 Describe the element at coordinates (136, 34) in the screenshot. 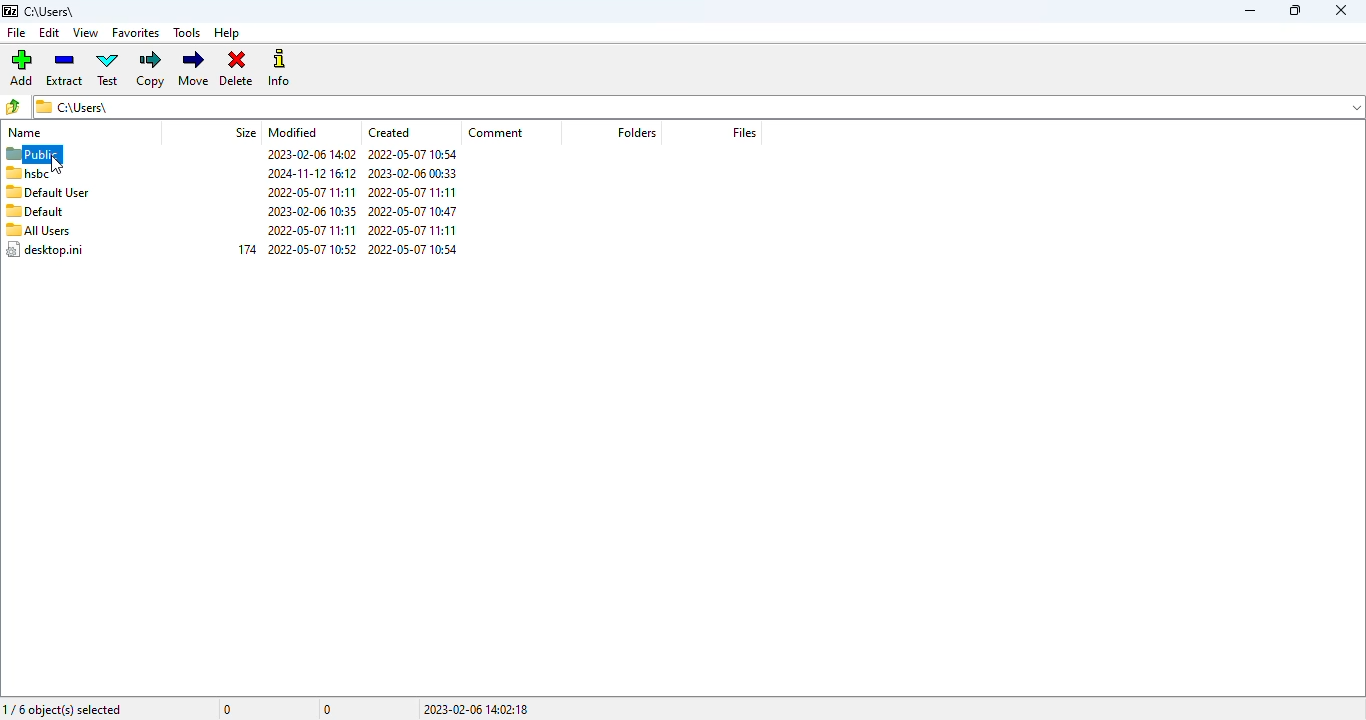

I see `favorites` at that location.